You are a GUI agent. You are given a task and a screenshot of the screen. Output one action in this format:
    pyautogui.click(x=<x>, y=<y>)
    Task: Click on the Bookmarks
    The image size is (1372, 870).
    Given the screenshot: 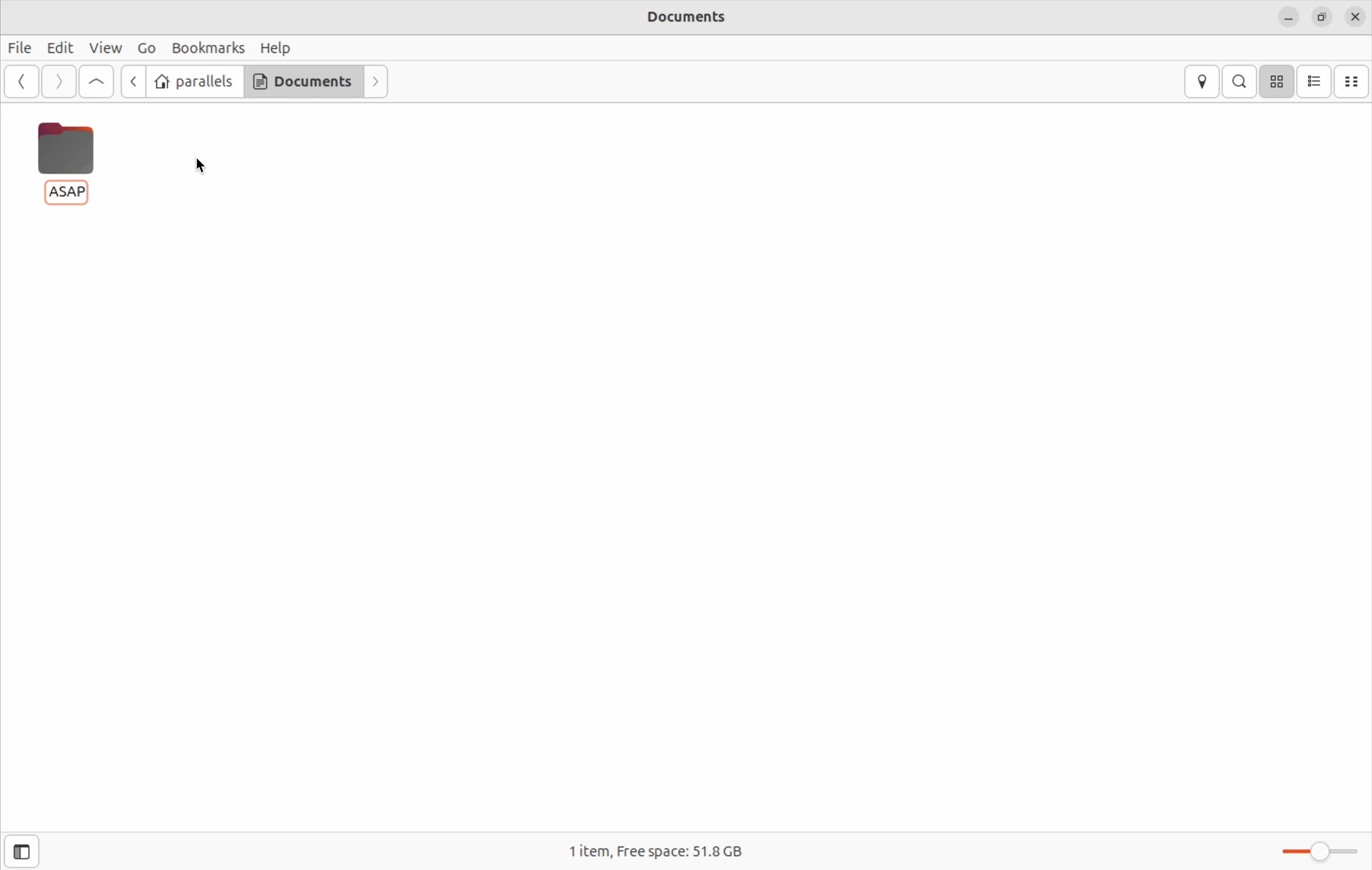 What is the action you would take?
    pyautogui.click(x=207, y=46)
    